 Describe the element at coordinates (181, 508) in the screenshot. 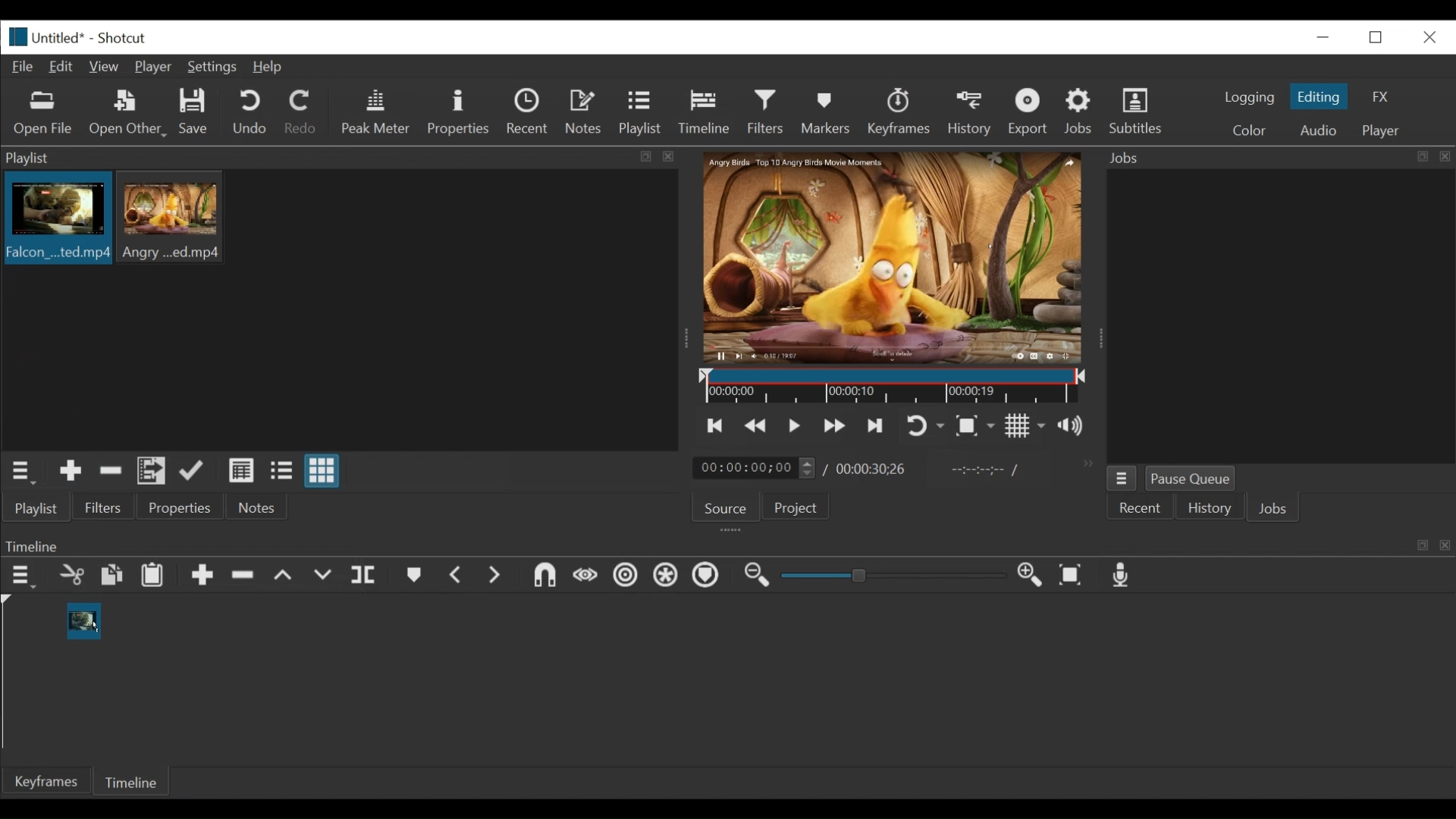

I see `properties` at that location.